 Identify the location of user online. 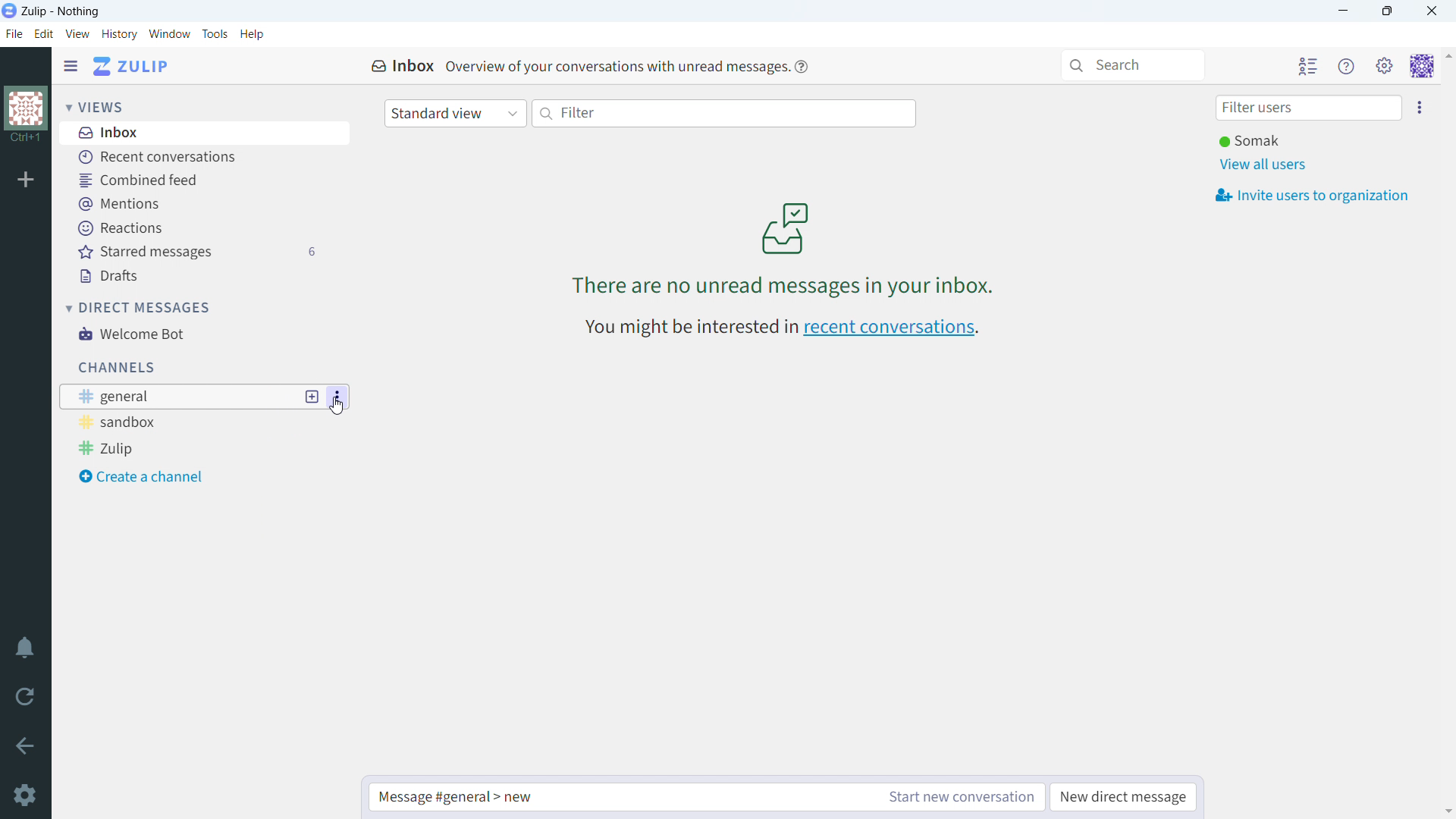
(1249, 141).